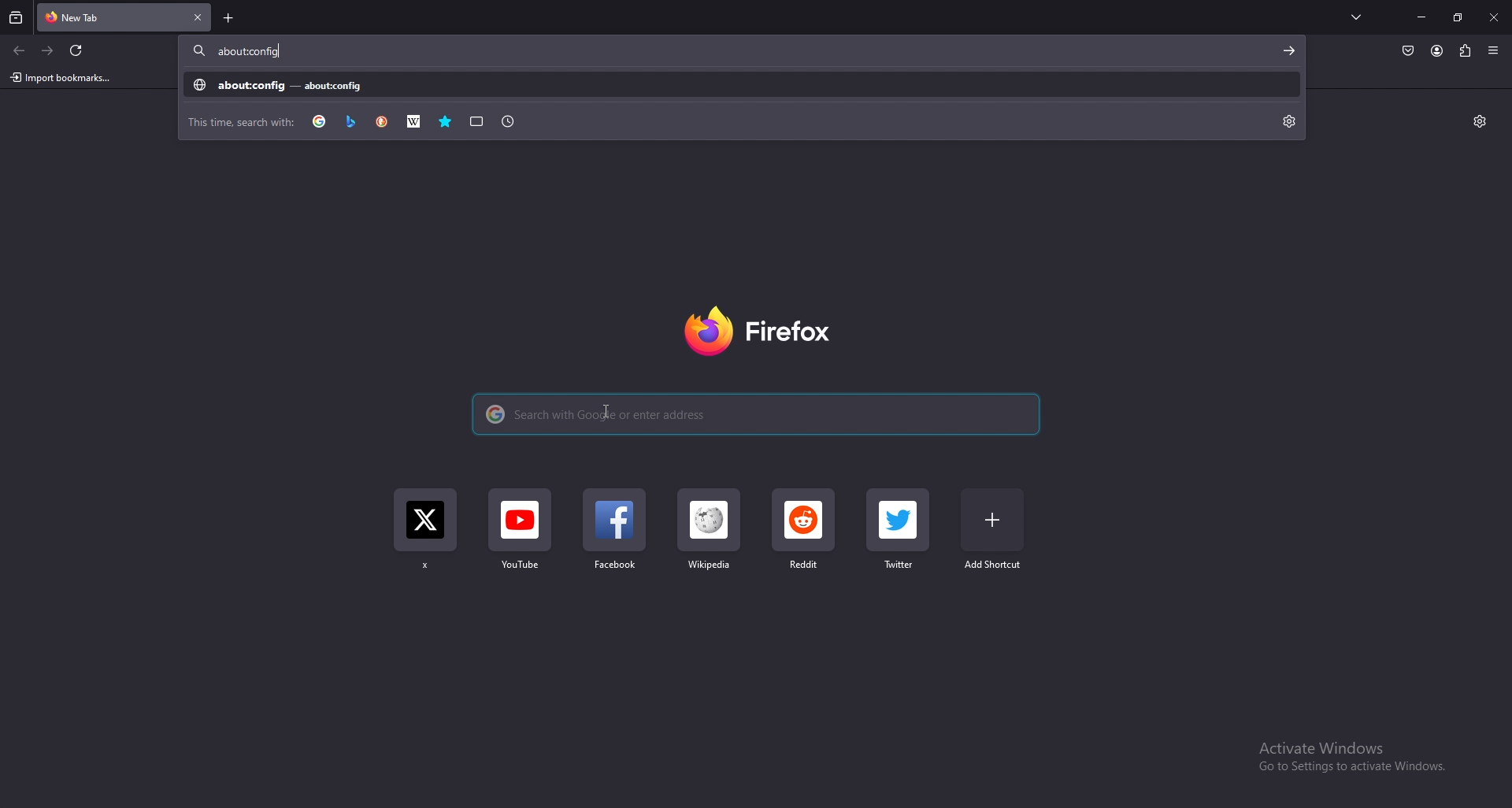 The height and width of the screenshot is (808, 1512). I want to click on recent browsing, so click(17, 18).